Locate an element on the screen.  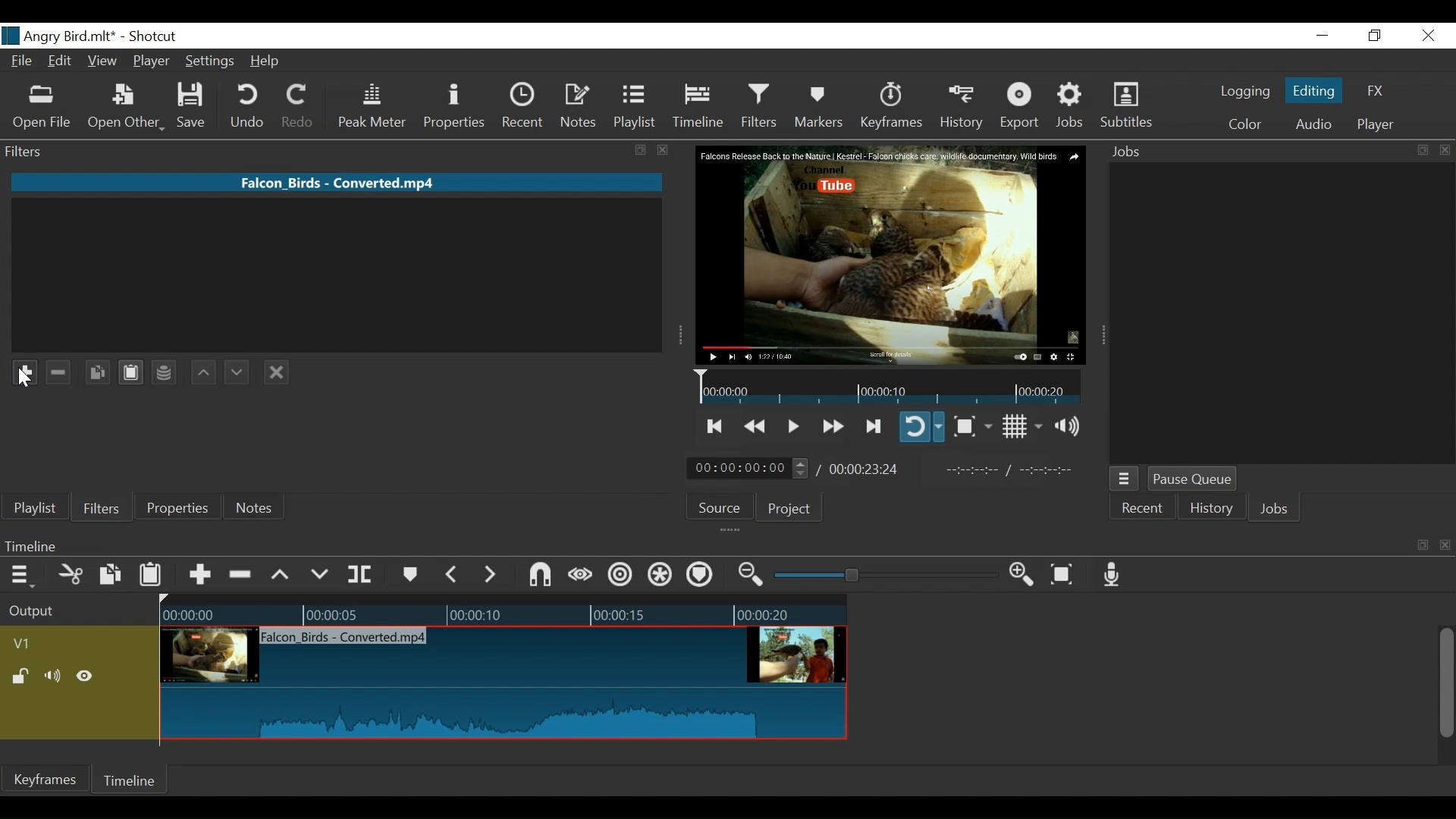
Save is located at coordinates (196, 106).